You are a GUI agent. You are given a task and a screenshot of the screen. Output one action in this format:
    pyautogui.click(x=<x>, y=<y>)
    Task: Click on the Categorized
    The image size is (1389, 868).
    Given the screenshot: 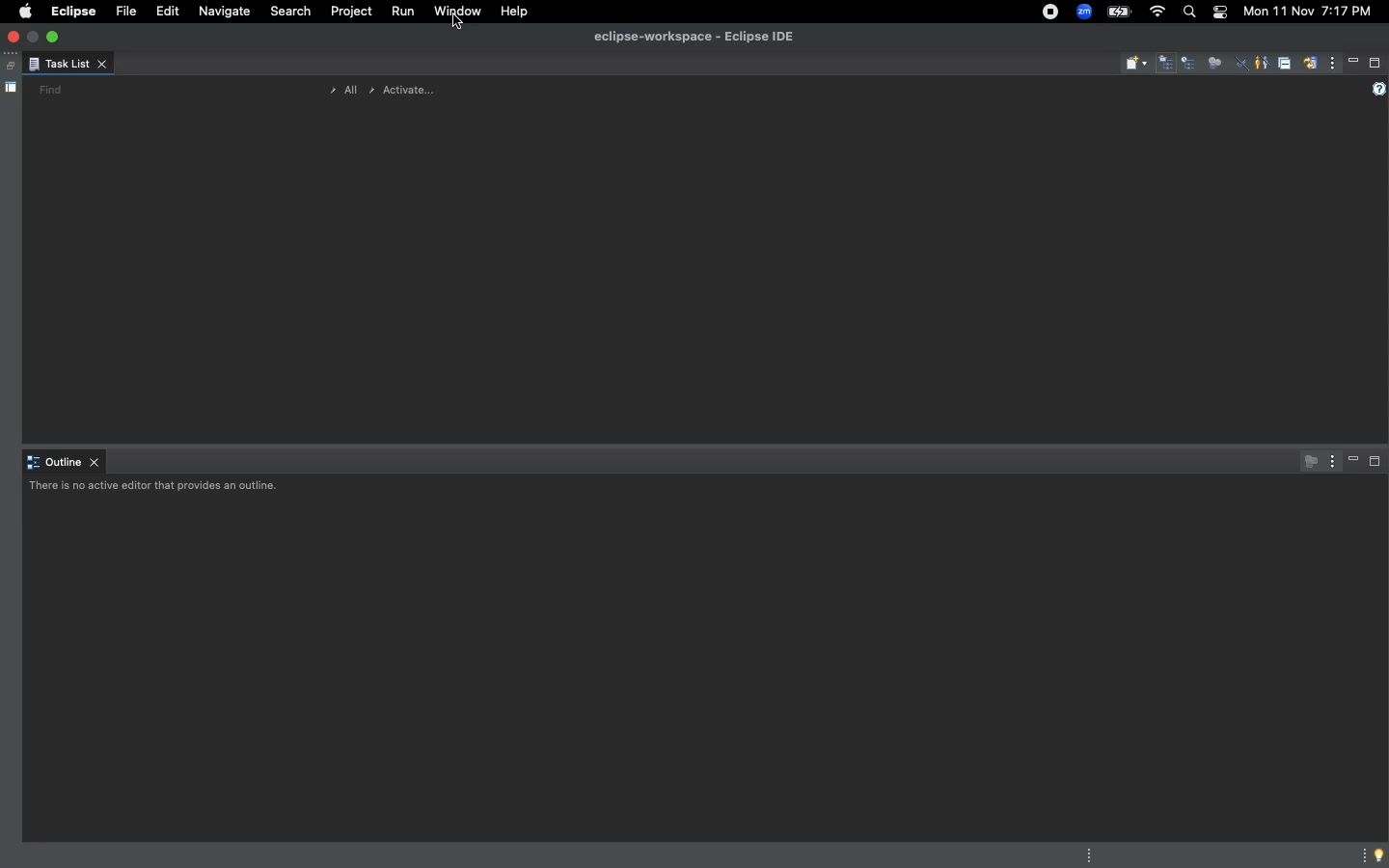 What is the action you would take?
    pyautogui.click(x=1167, y=65)
    